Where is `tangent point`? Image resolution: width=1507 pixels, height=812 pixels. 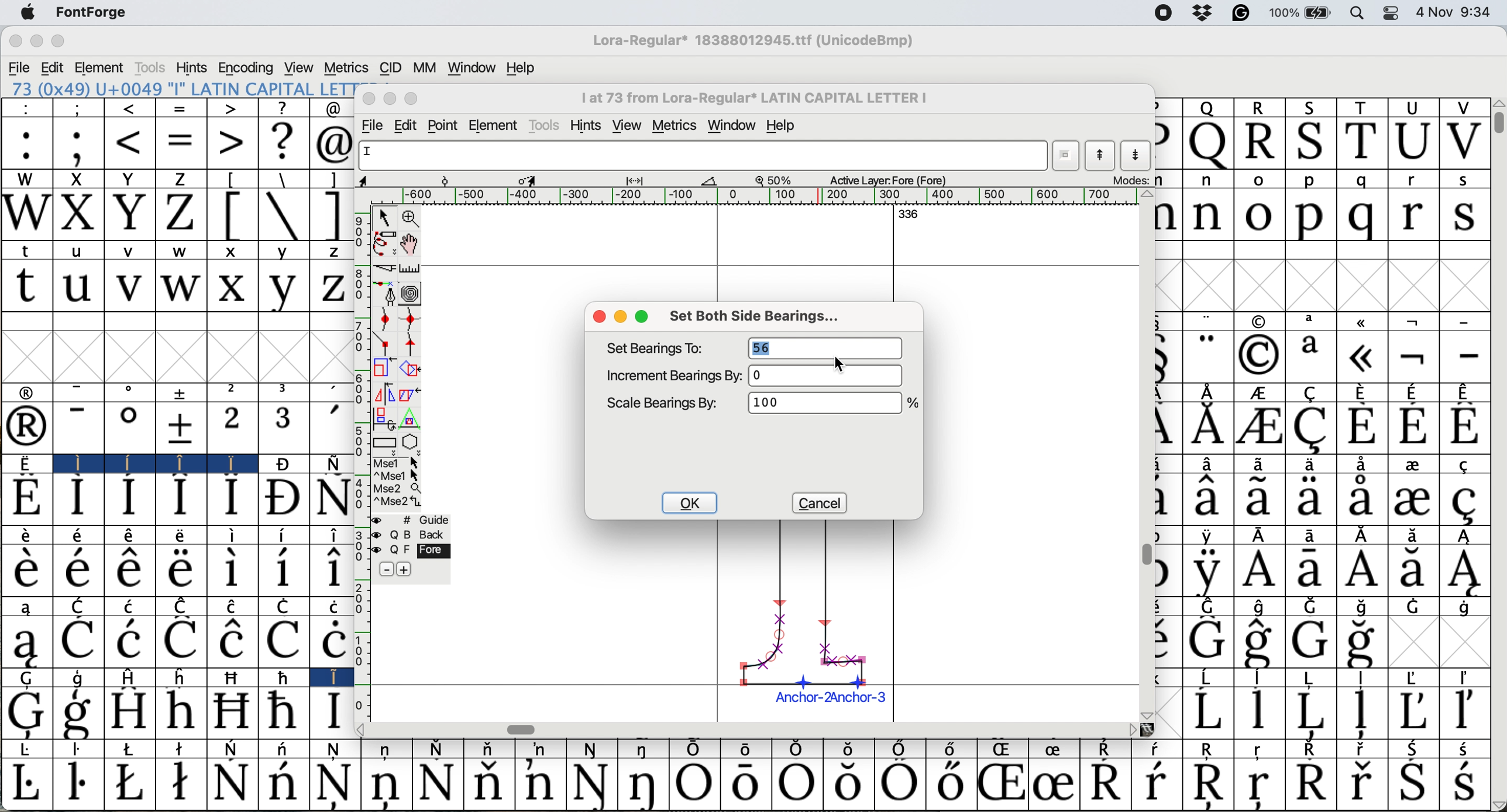
tangent point is located at coordinates (412, 345).